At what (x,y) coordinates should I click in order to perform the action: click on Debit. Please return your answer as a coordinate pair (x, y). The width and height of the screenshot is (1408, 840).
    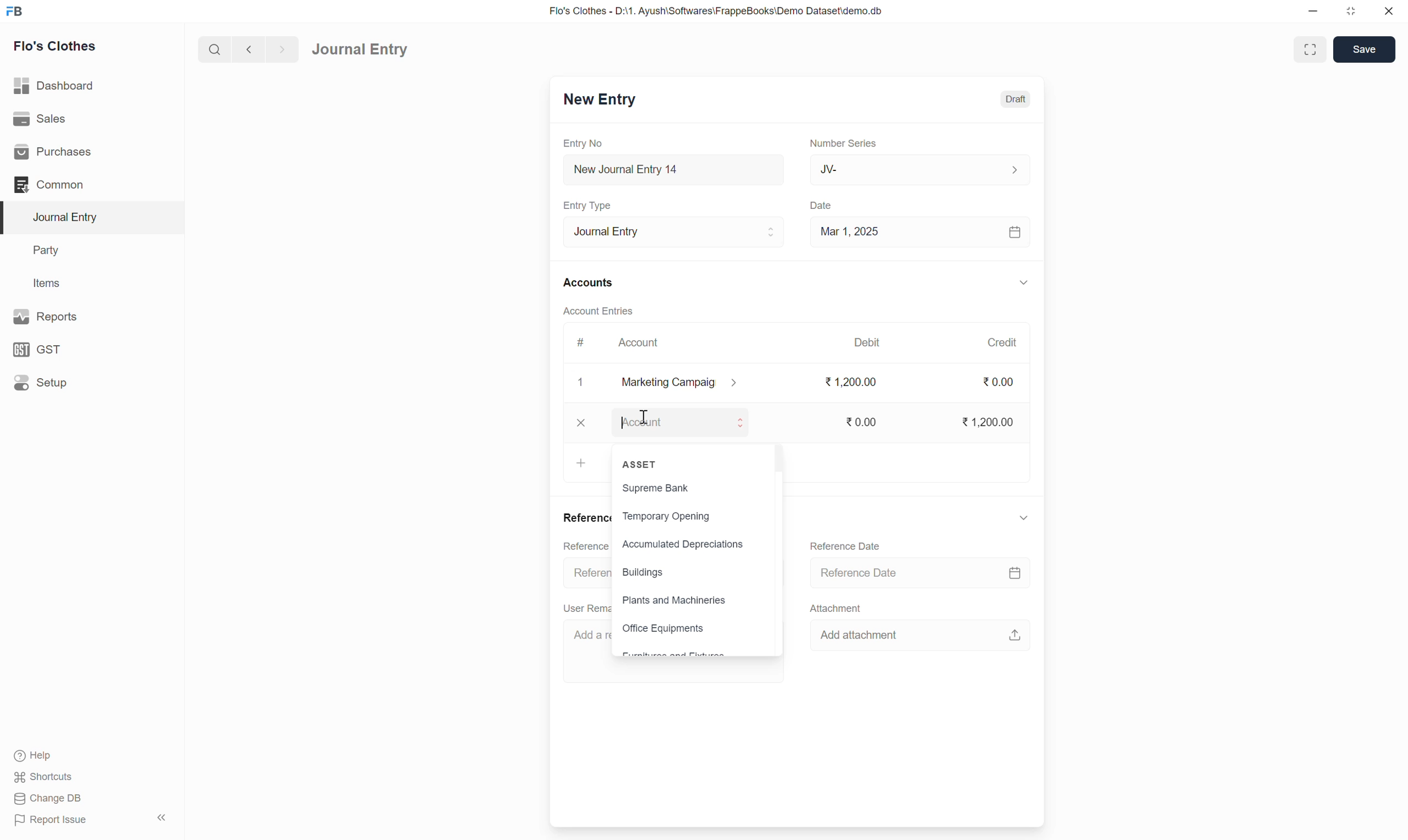
    Looking at the image, I should click on (867, 341).